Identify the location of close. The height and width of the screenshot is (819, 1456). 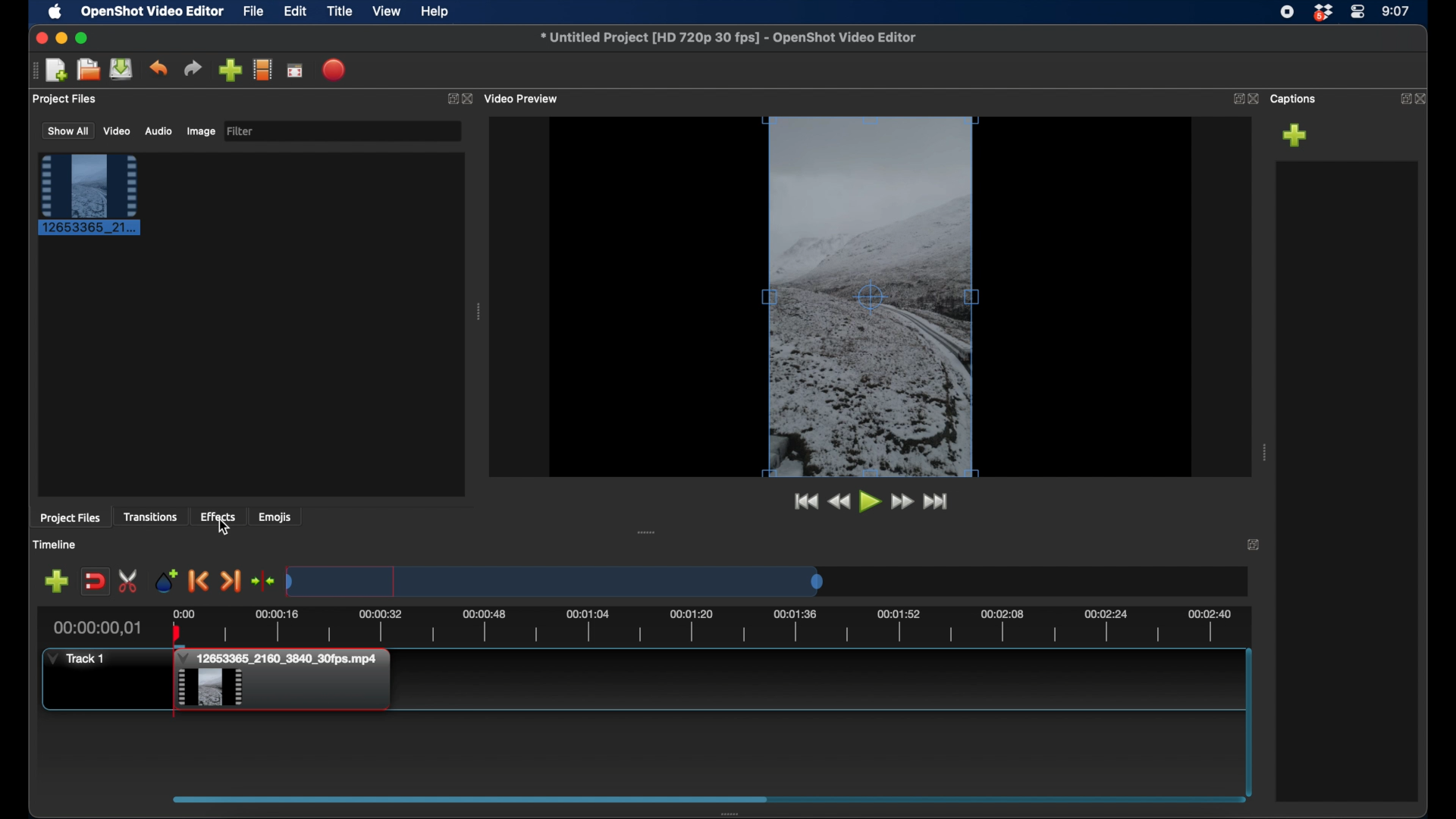
(1424, 97).